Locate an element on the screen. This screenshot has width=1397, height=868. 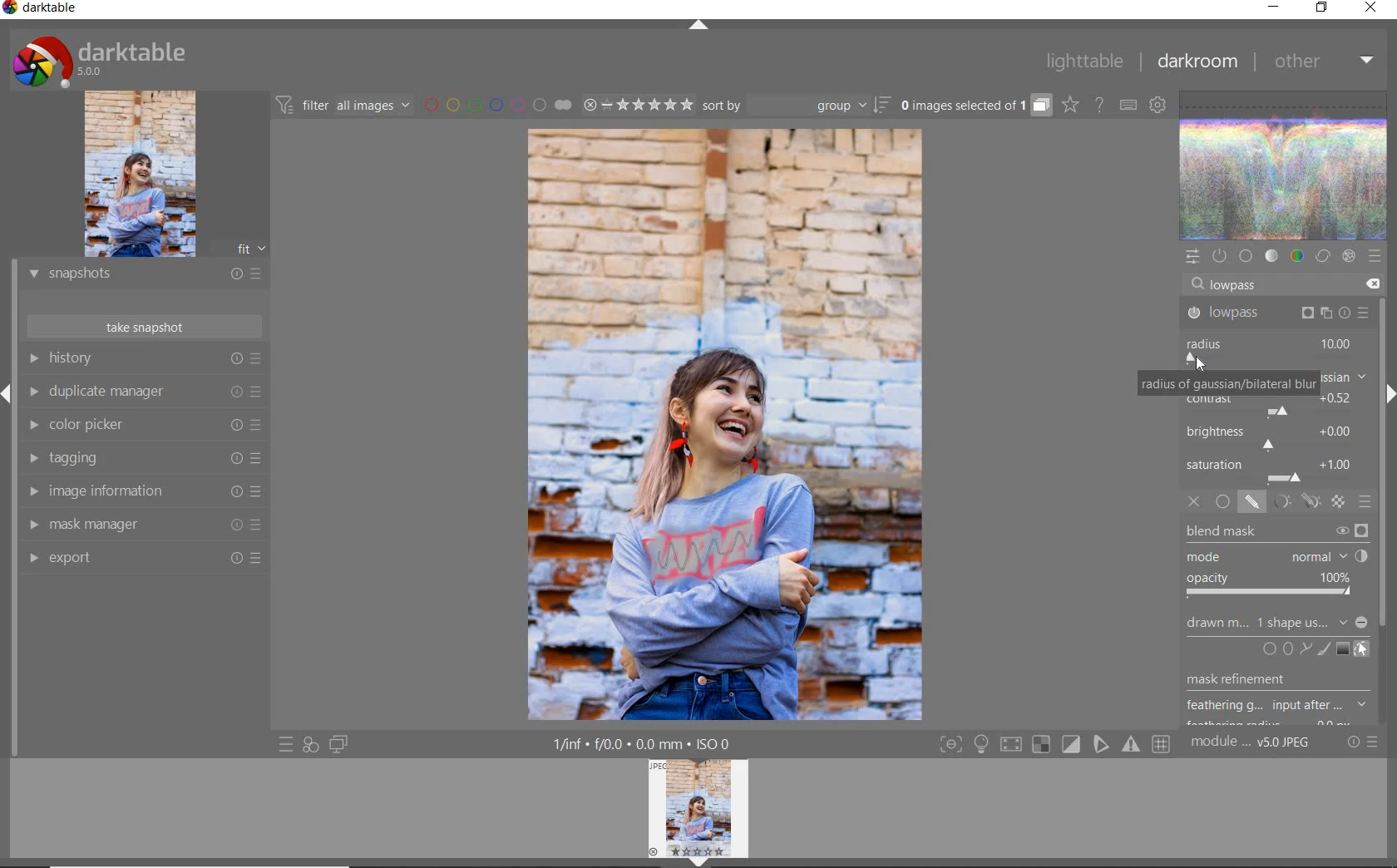
blend mask is located at coordinates (1281, 562).